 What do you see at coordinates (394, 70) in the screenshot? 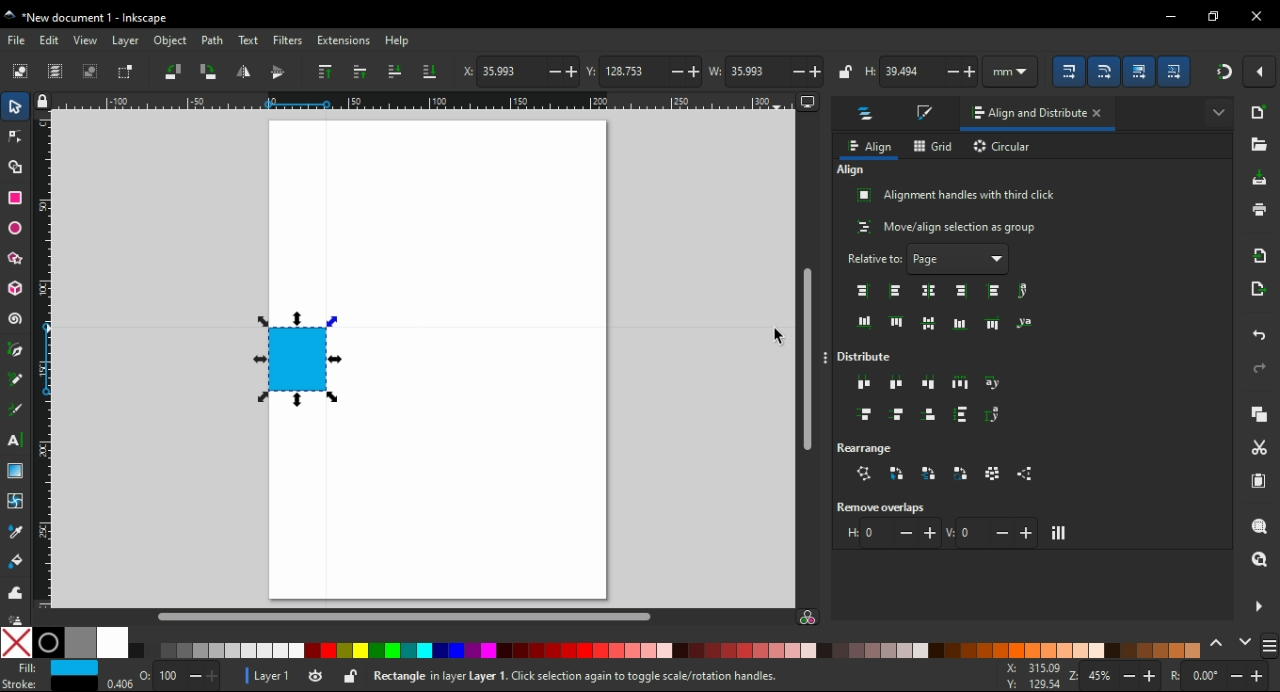
I see `lower` at bounding box center [394, 70].